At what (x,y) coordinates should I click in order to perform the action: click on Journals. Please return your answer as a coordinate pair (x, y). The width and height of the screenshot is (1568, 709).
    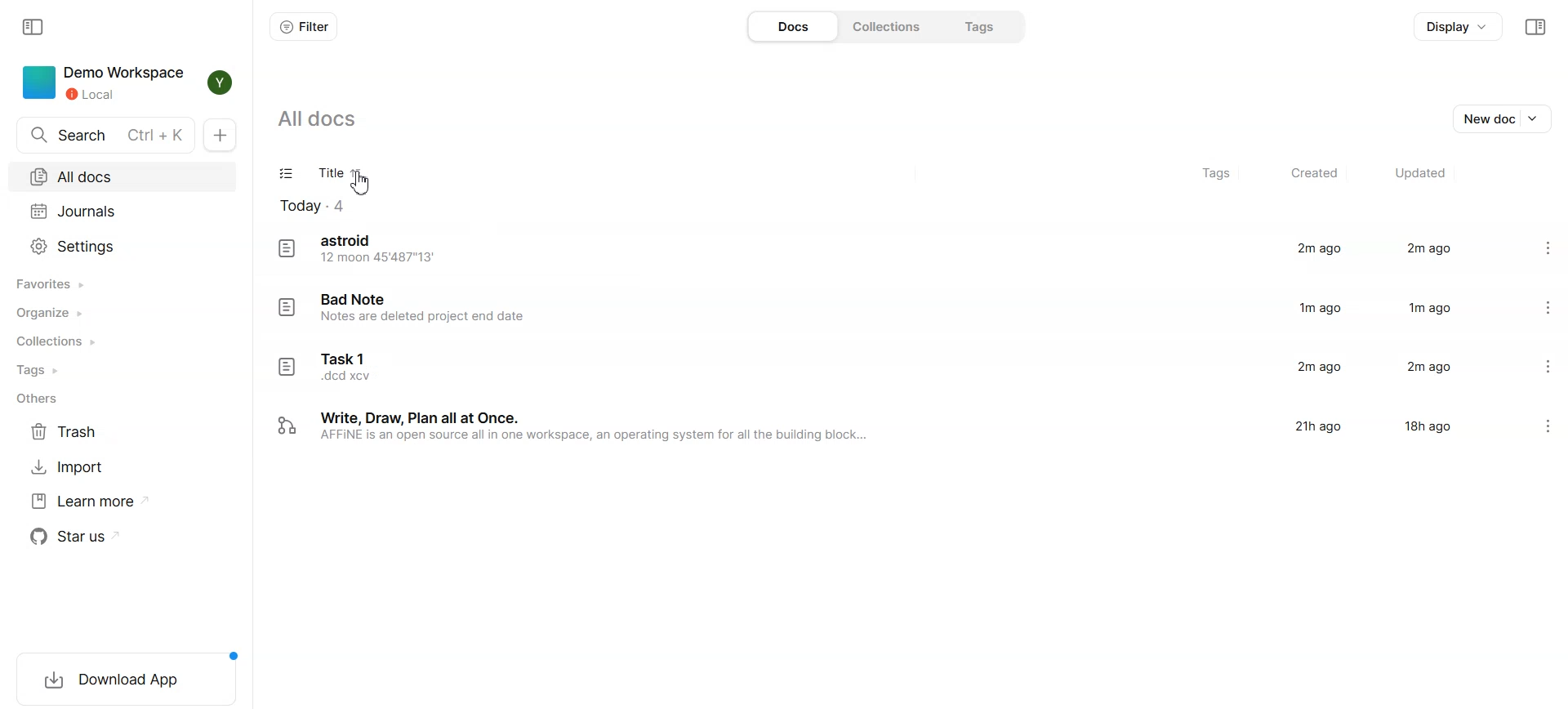
    Looking at the image, I should click on (122, 212).